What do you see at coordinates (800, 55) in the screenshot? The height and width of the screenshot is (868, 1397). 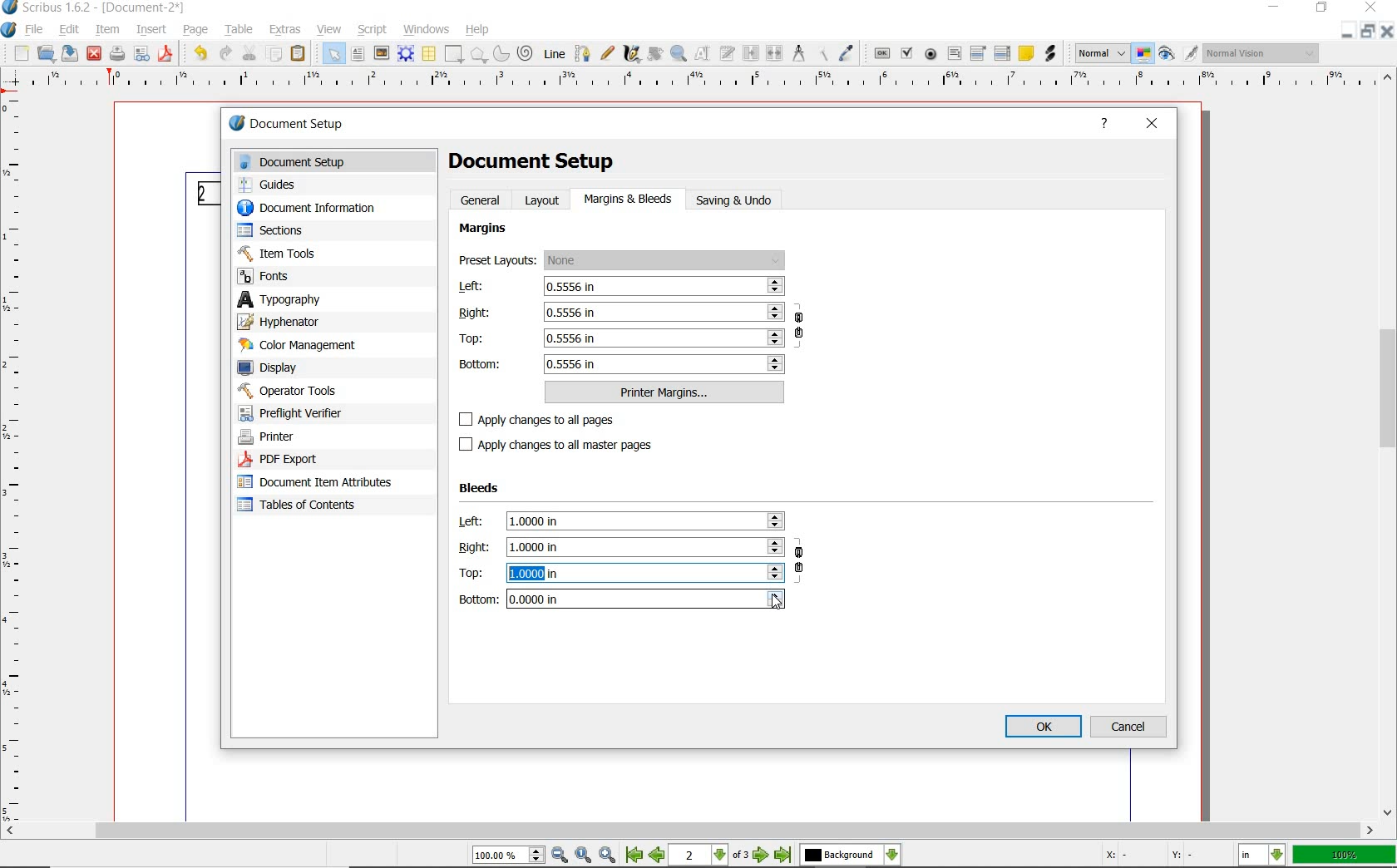 I see `measurements` at bounding box center [800, 55].